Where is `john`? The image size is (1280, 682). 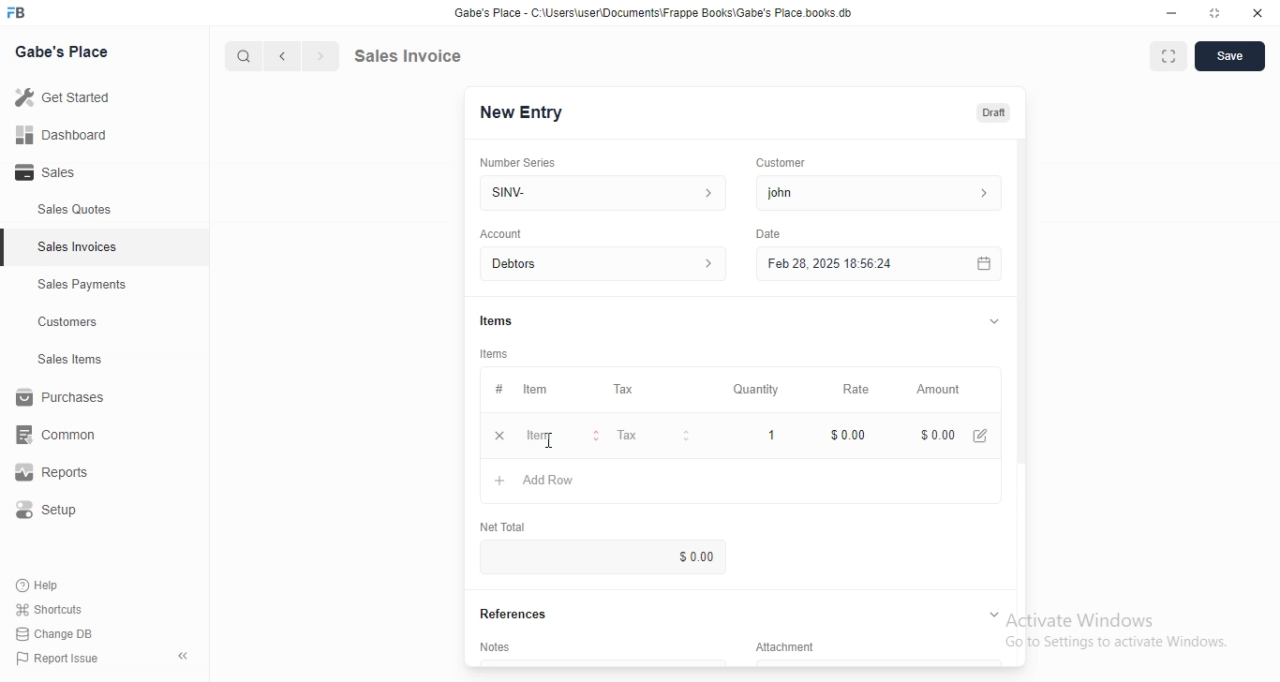 john is located at coordinates (876, 193).